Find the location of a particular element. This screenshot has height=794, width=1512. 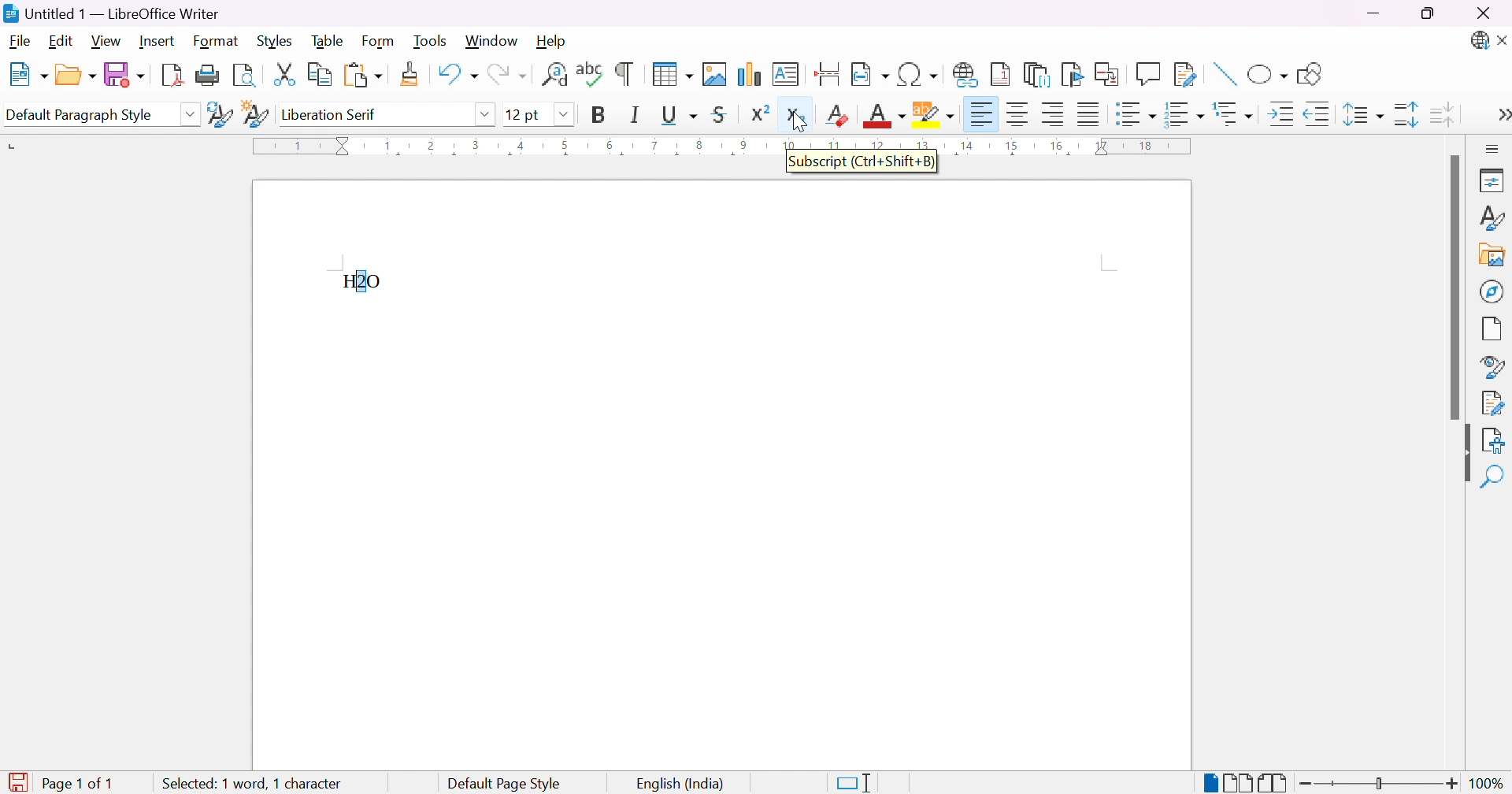

Toggle unordered list is located at coordinates (1137, 117).